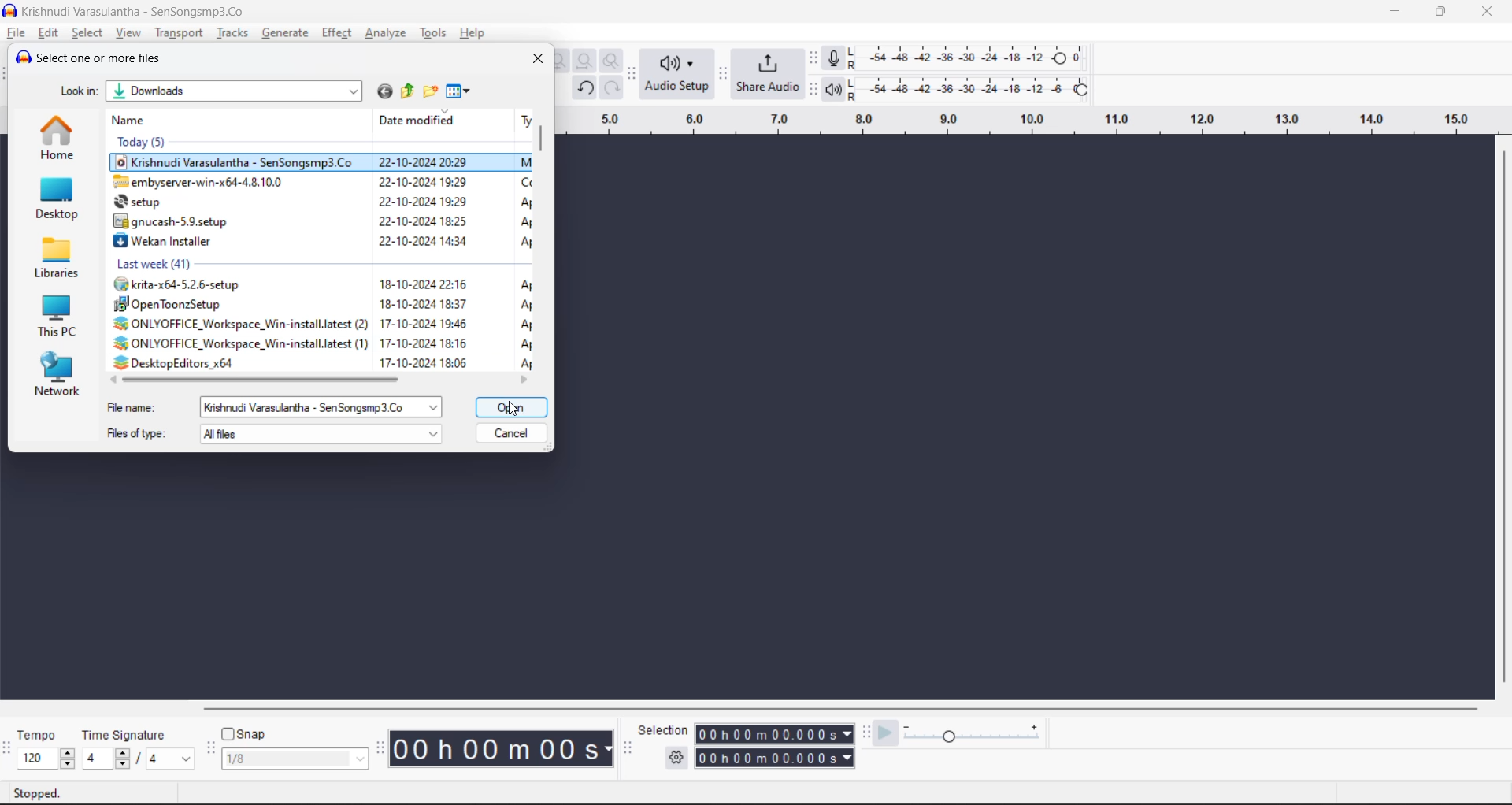 The image size is (1512, 805). Describe the element at coordinates (676, 757) in the screenshot. I see `selection settings` at that location.